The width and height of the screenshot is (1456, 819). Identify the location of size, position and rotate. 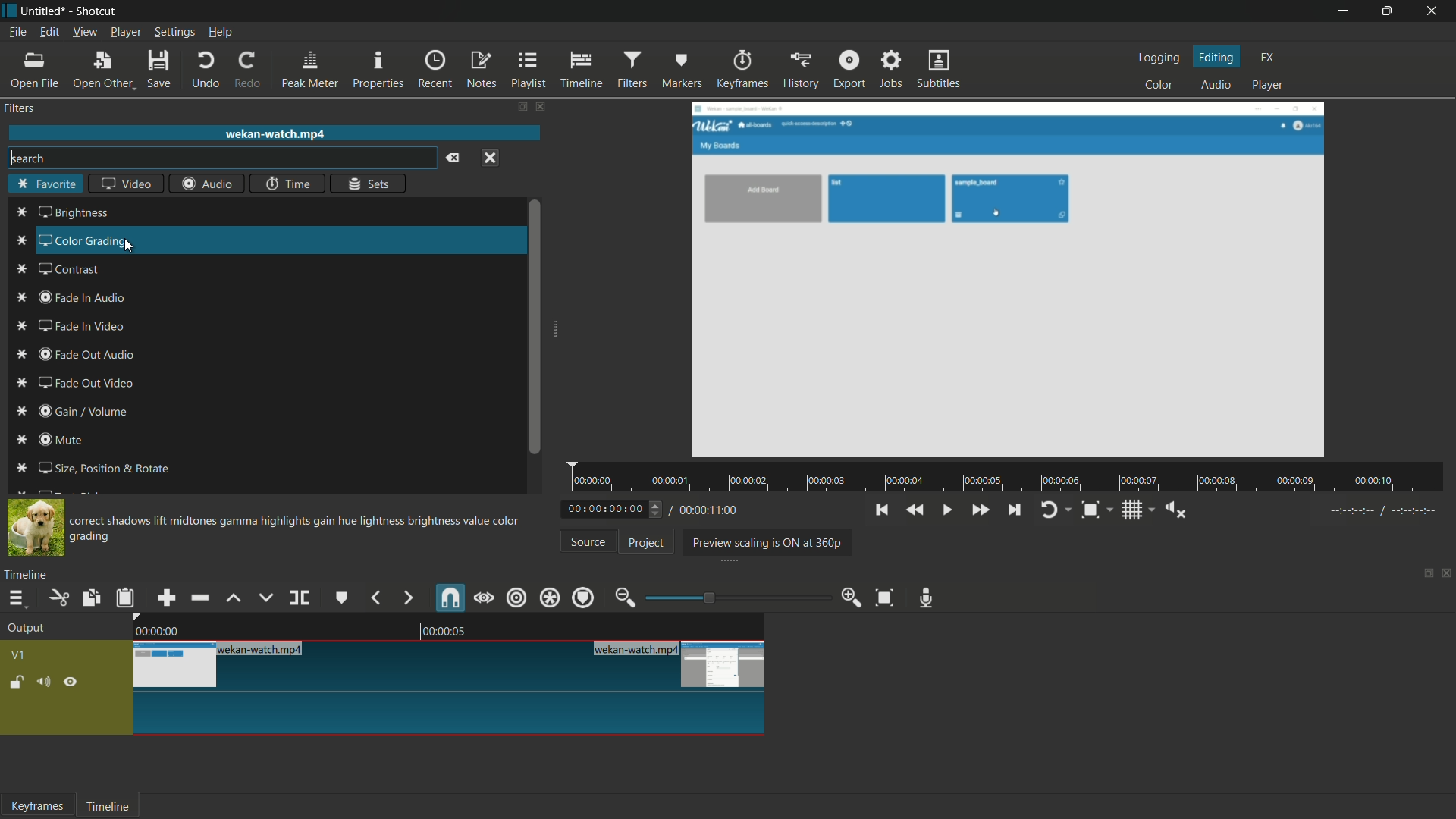
(93, 469).